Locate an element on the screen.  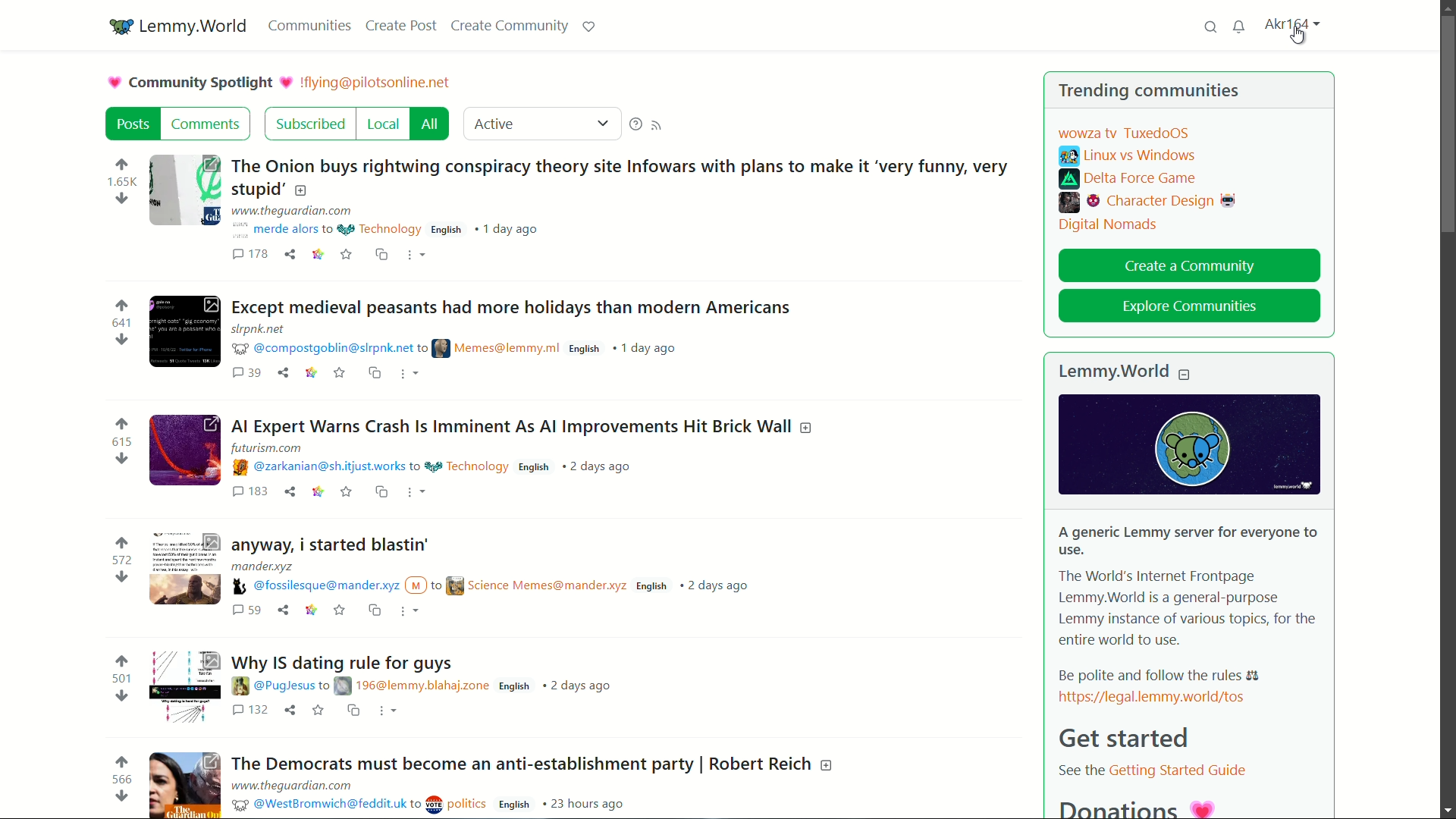
more is located at coordinates (416, 491).